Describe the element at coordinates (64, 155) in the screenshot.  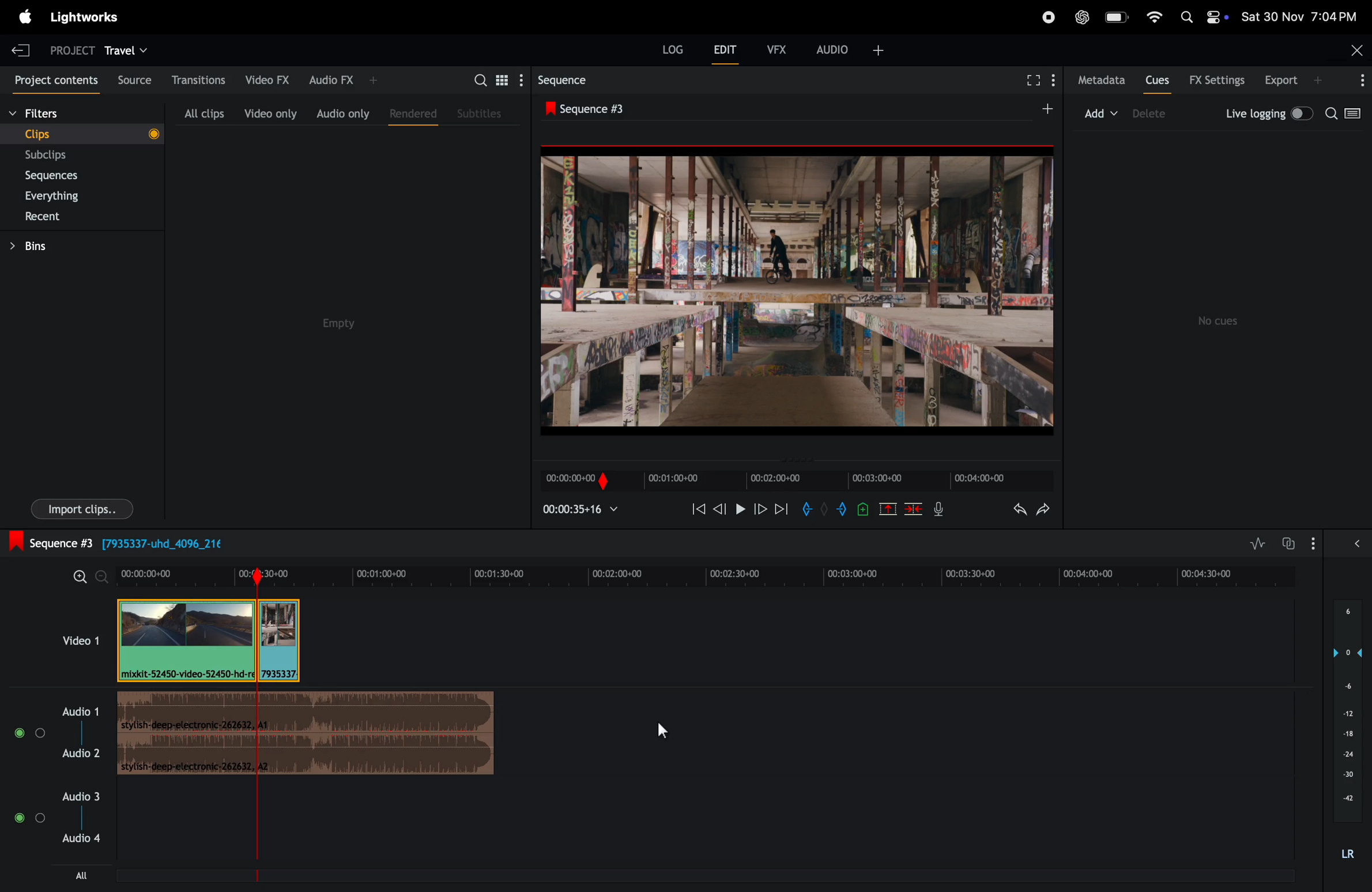
I see `subclips` at that location.